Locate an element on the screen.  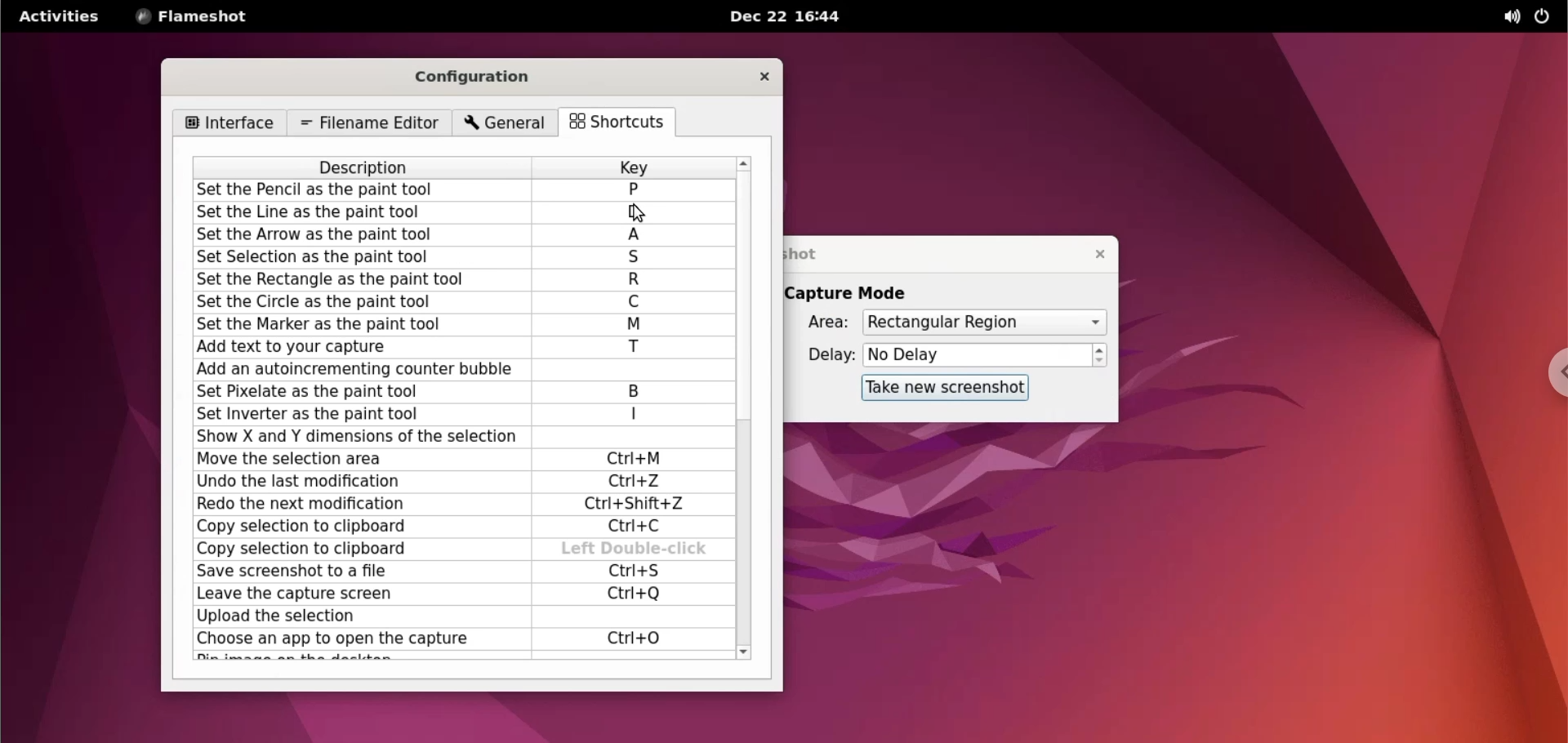
set the circle as the paint tool is located at coordinates (360, 301).